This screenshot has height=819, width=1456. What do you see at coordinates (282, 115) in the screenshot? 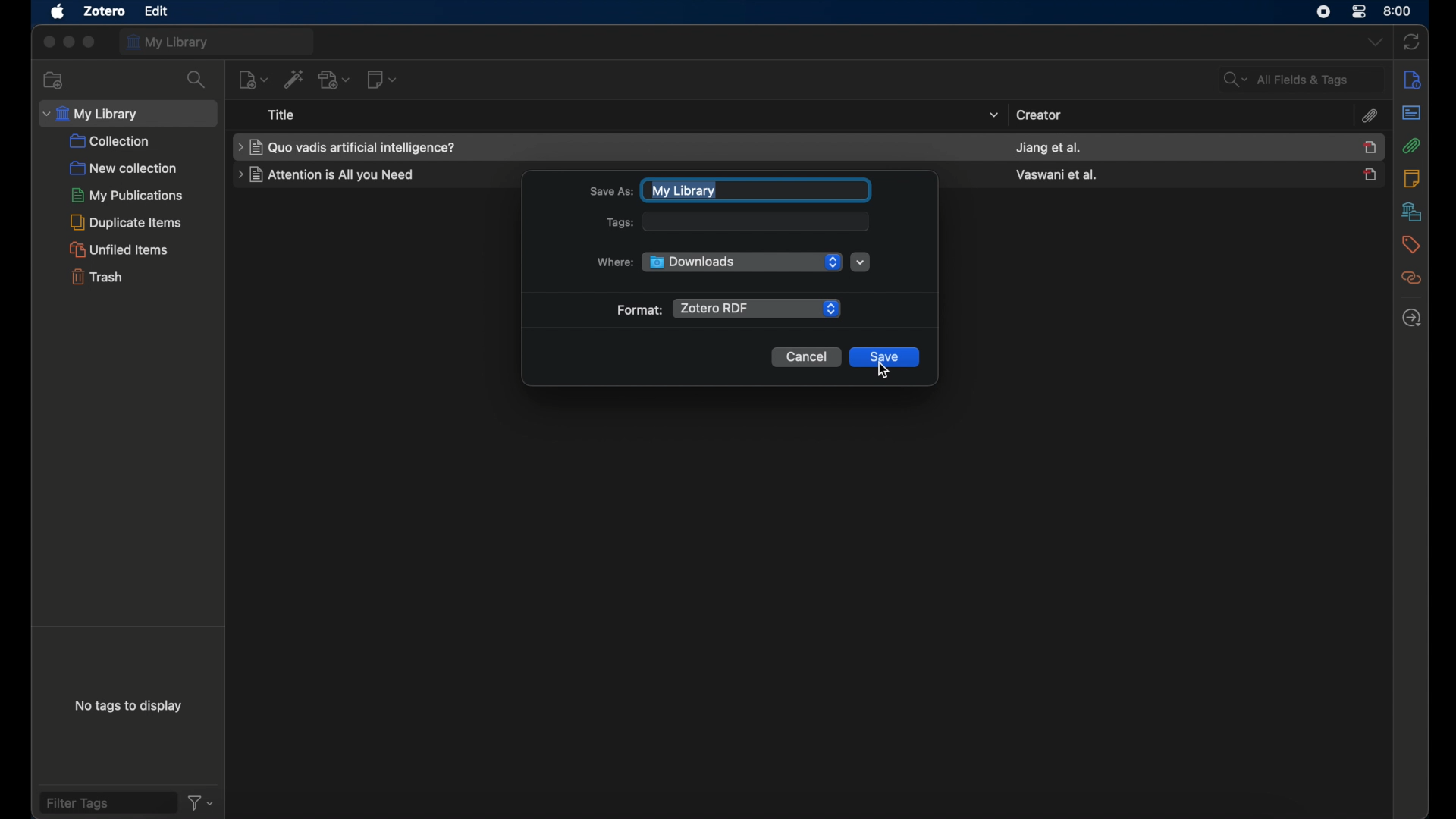
I see `title` at bounding box center [282, 115].